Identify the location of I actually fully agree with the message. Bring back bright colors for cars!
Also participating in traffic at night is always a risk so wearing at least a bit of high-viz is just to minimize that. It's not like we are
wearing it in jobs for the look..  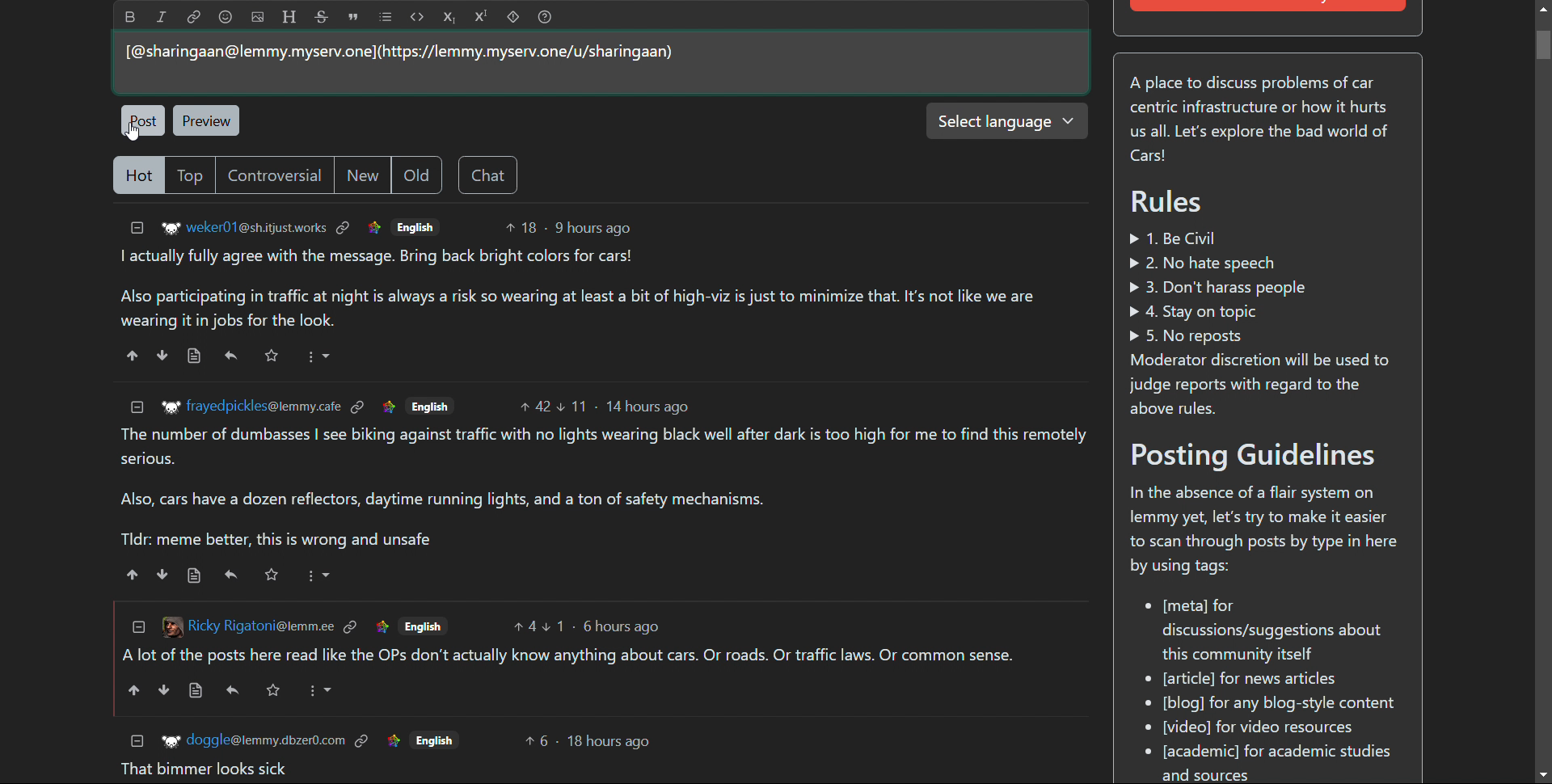
(573, 289).